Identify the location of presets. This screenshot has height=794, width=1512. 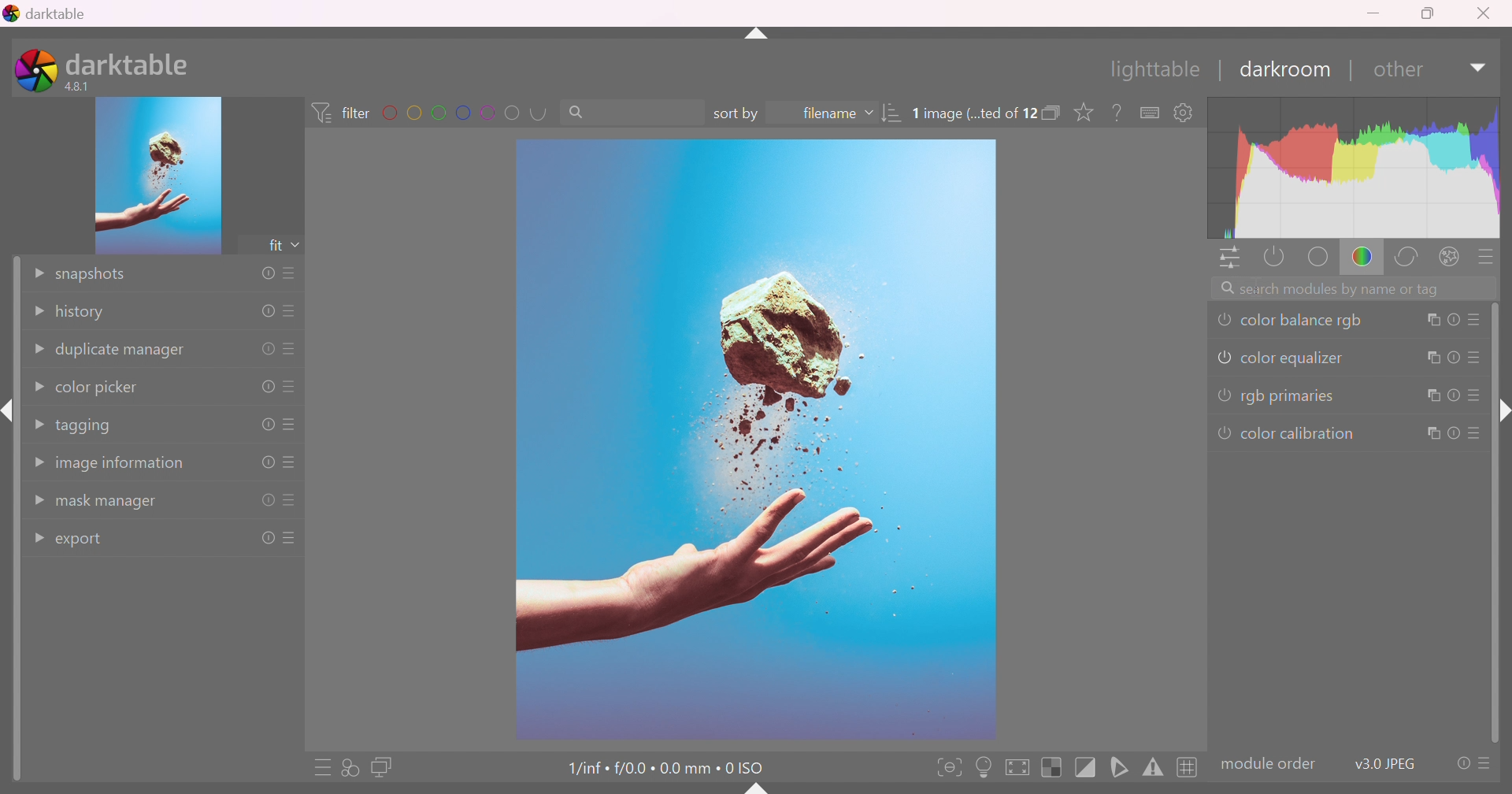
(291, 501).